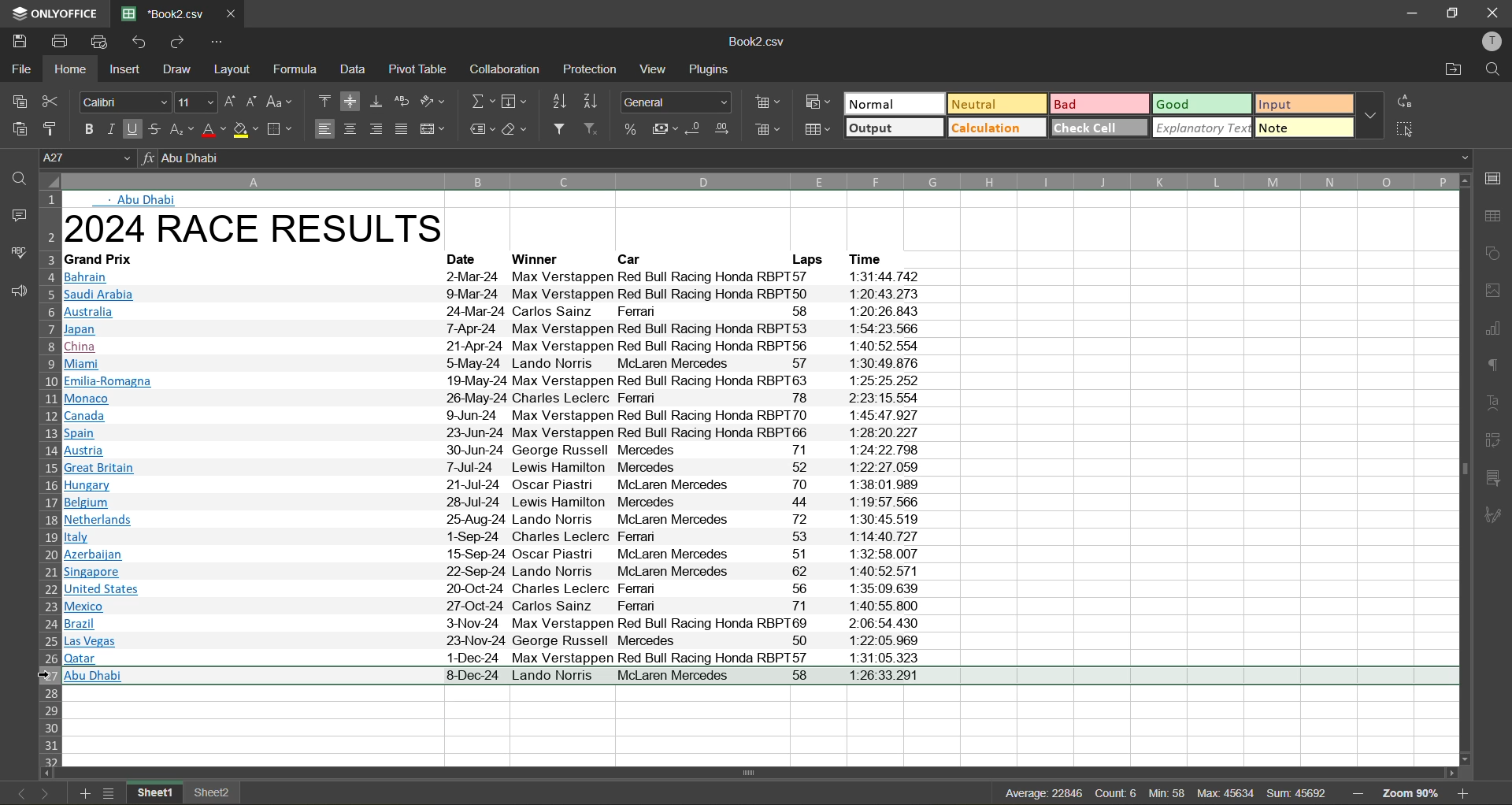  I want to click on text info, so click(498, 346).